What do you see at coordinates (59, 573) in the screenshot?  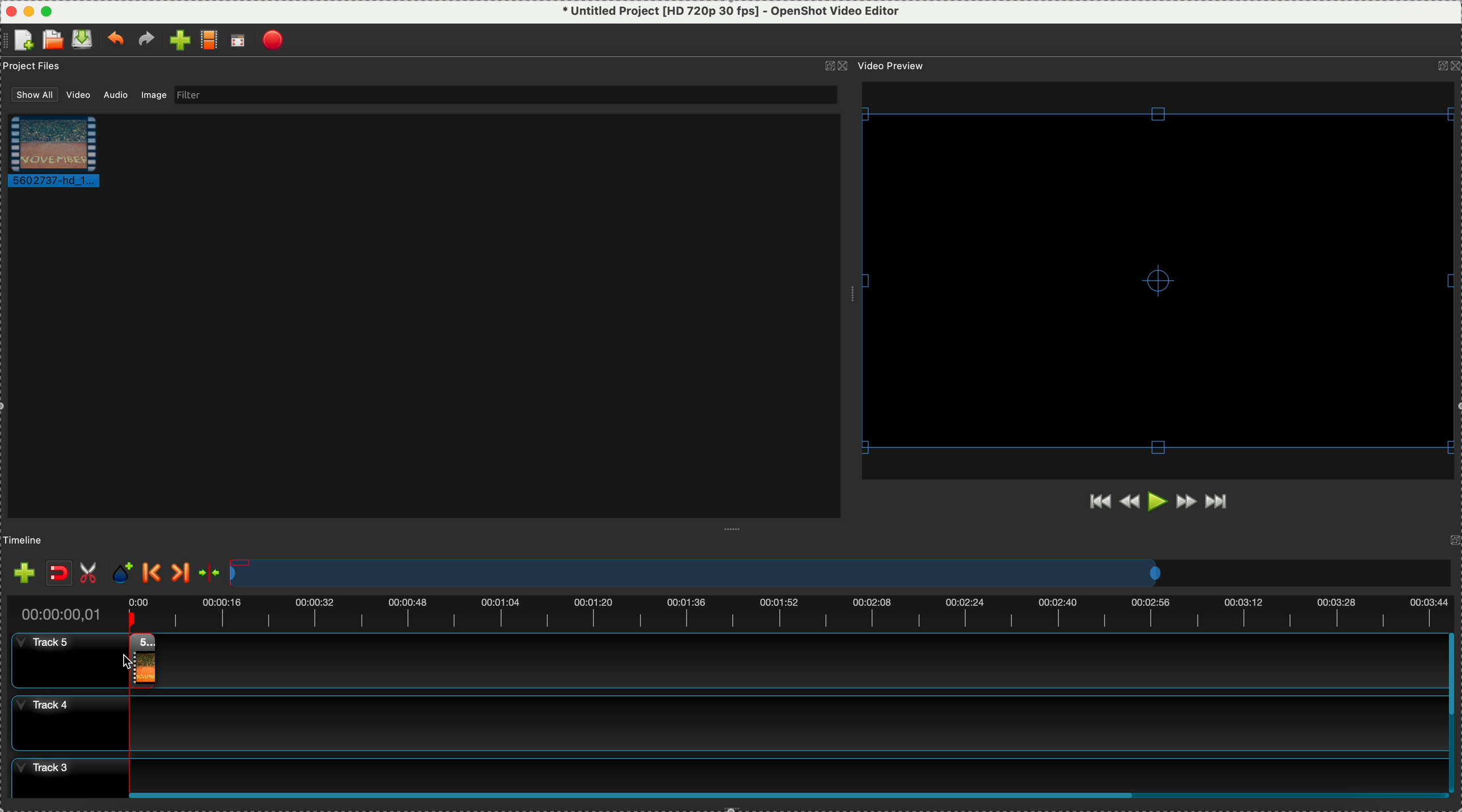 I see `disable snaping` at bounding box center [59, 573].